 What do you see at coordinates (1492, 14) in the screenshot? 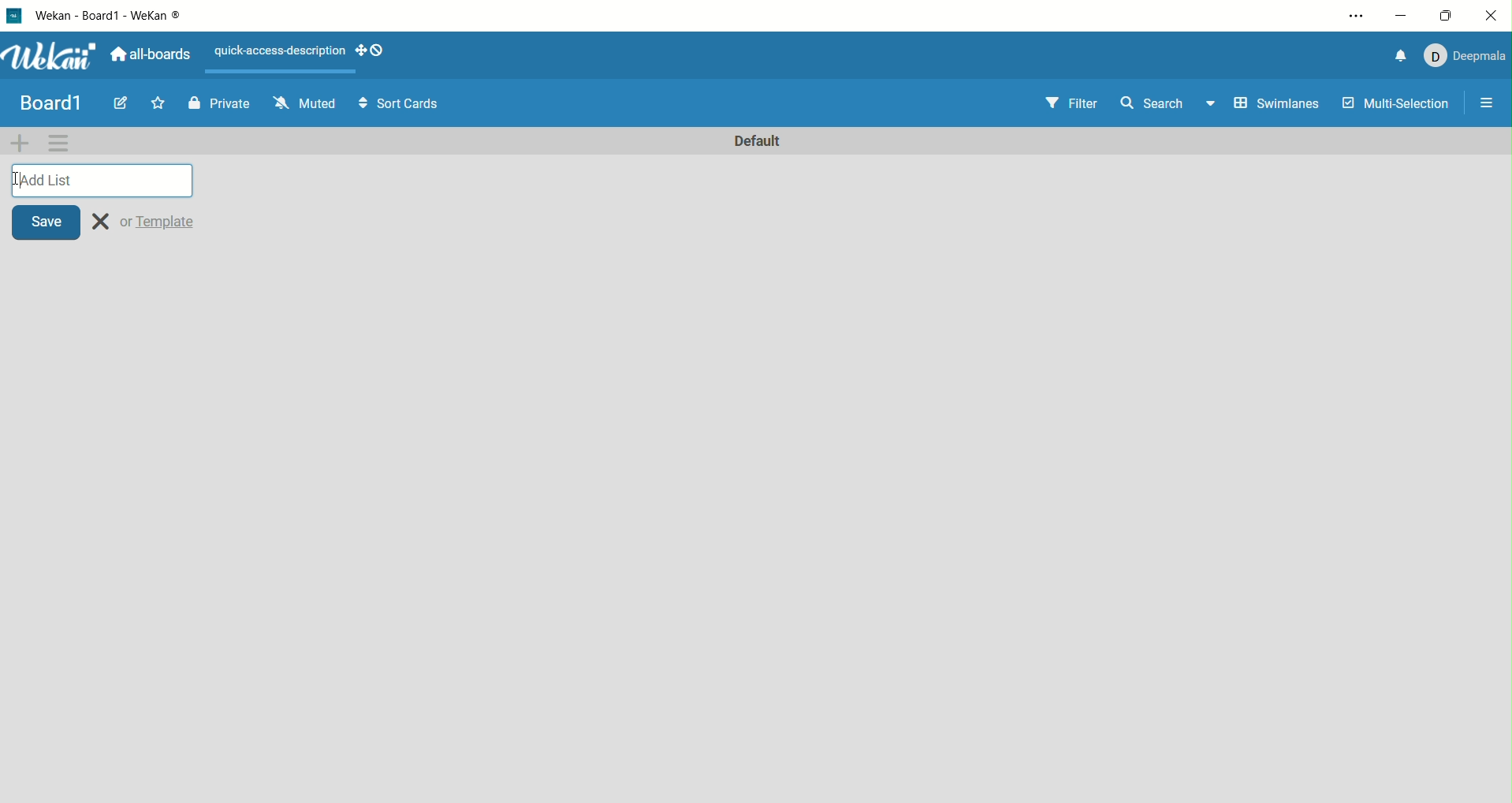
I see `close` at bounding box center [1492, 14].